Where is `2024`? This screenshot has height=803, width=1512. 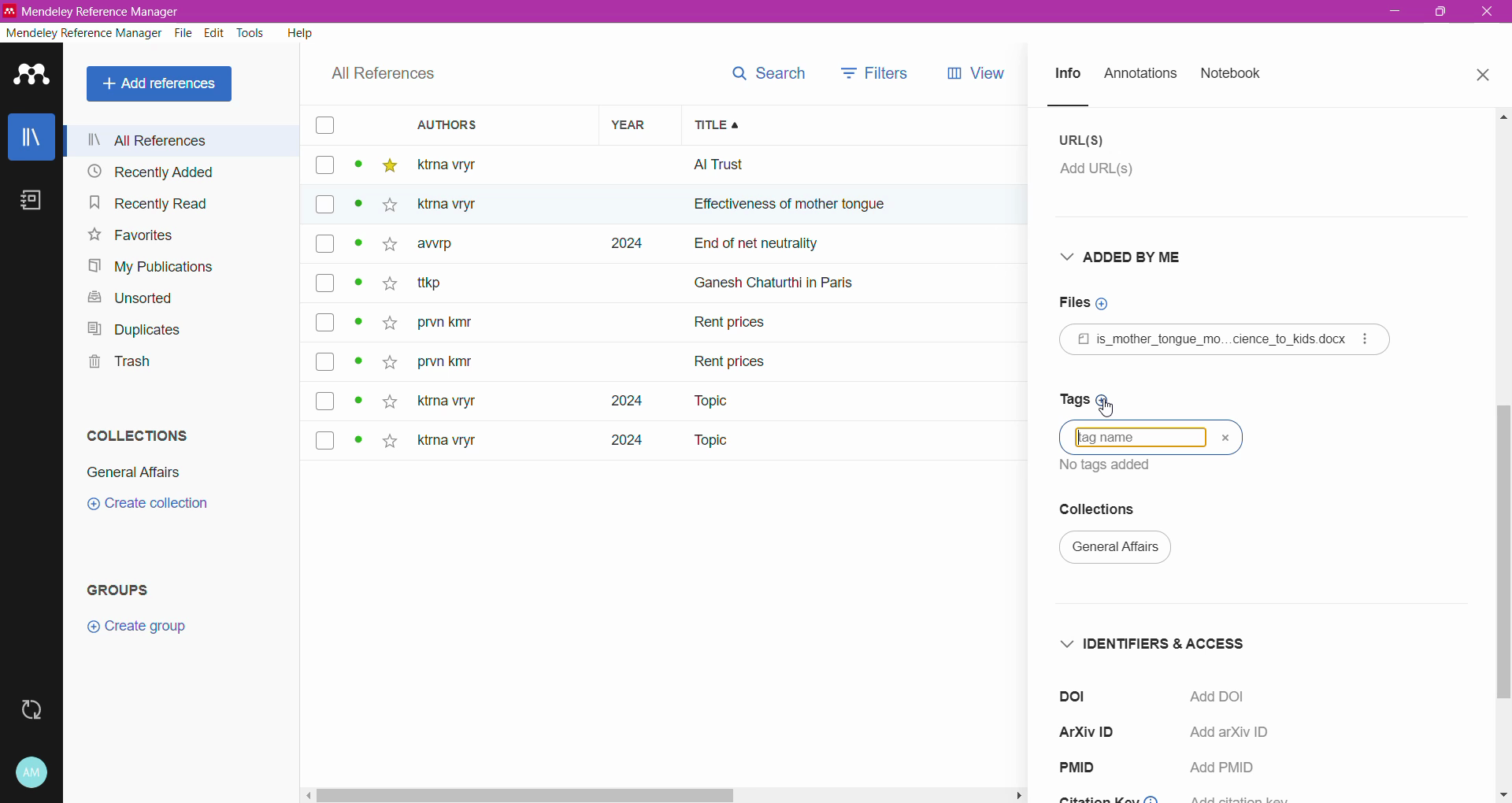 2024 is located at coordinates (617, 446).